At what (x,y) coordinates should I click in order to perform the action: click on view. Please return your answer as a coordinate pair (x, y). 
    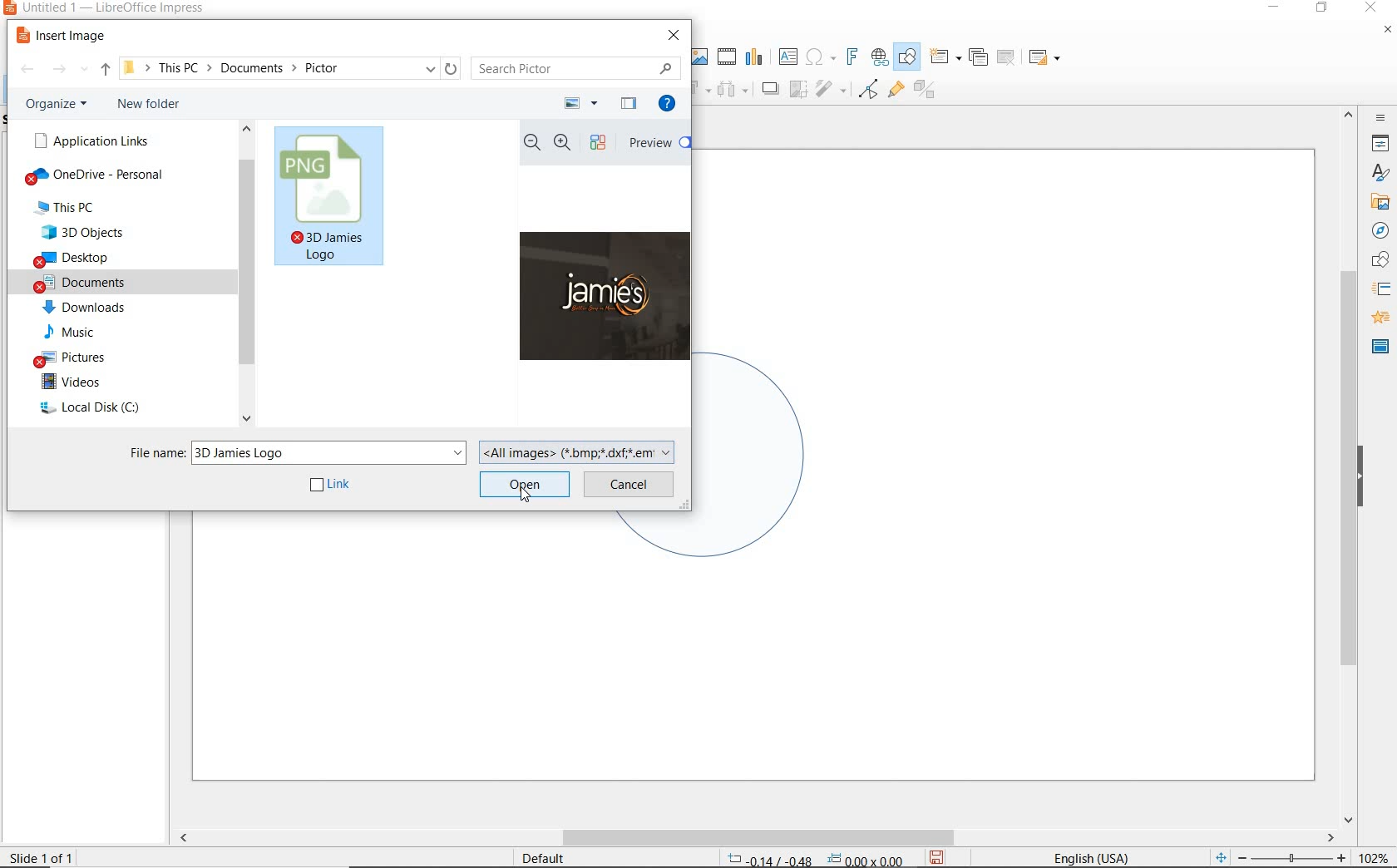
    Looking at the image, I should click on (601, 144).